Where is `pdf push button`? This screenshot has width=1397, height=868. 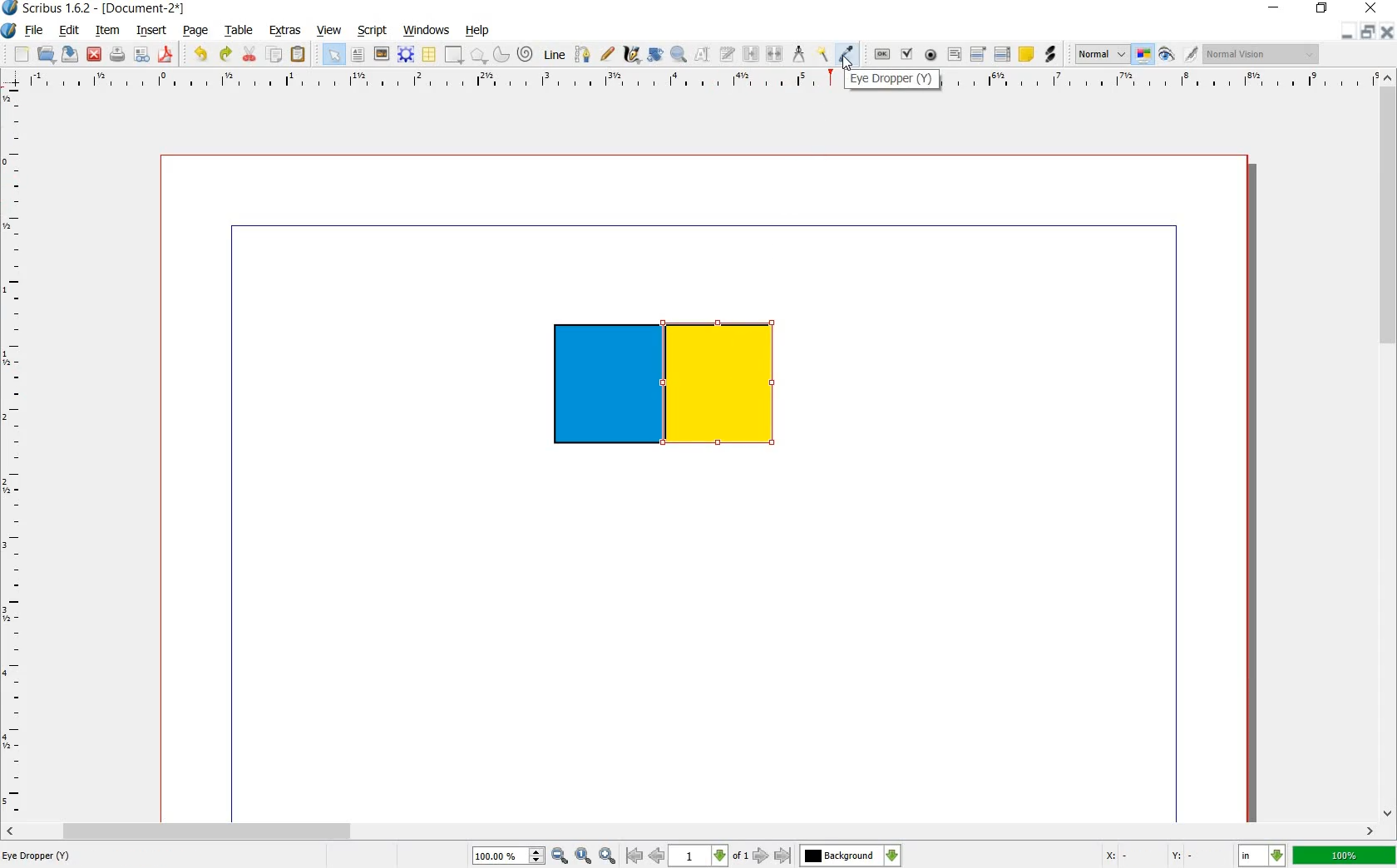
pdf push button is located at coordinates (881, 54).